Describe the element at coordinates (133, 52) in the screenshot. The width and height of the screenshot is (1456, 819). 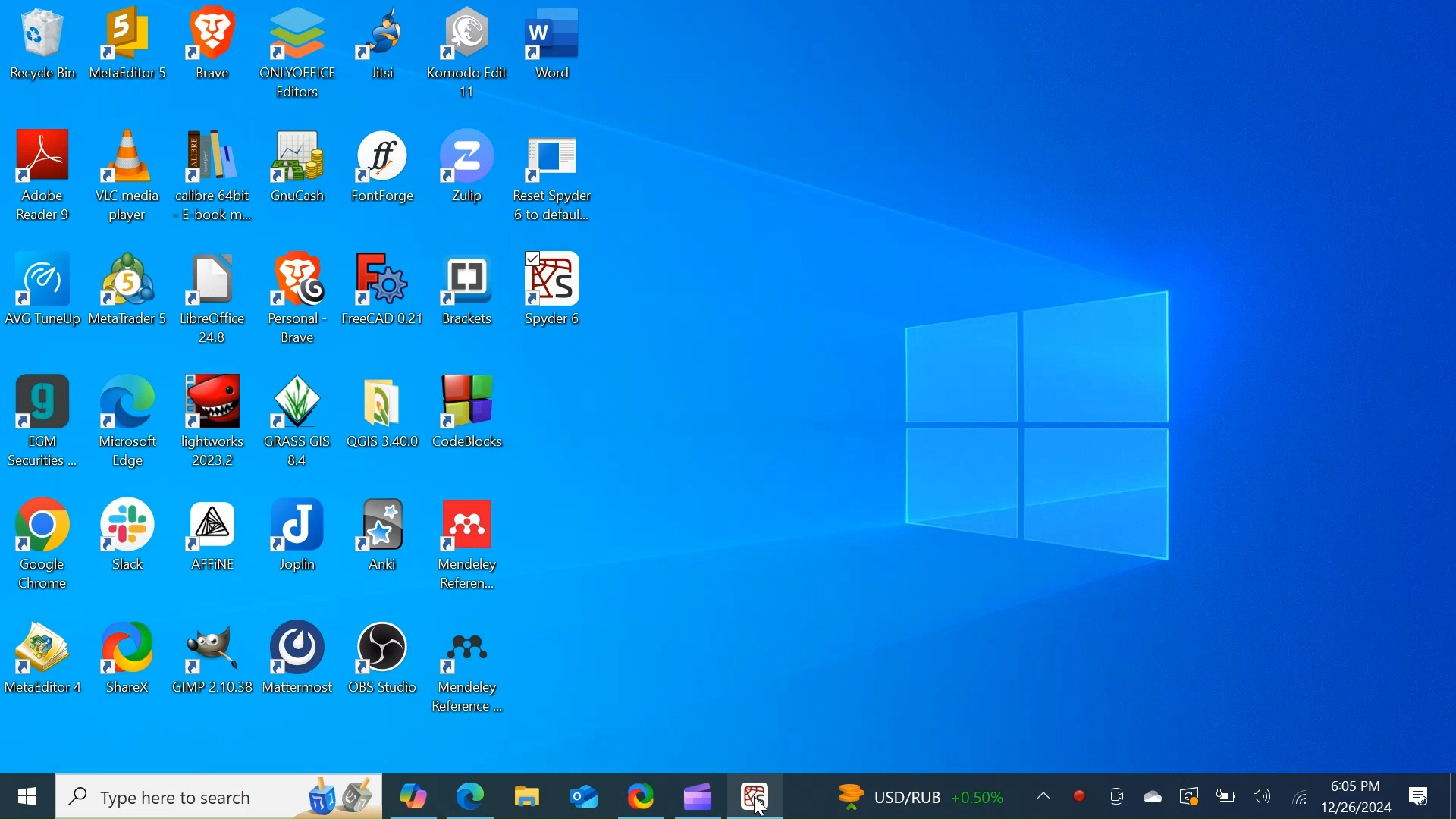
I see `Meta Desktop Icon` at that location.